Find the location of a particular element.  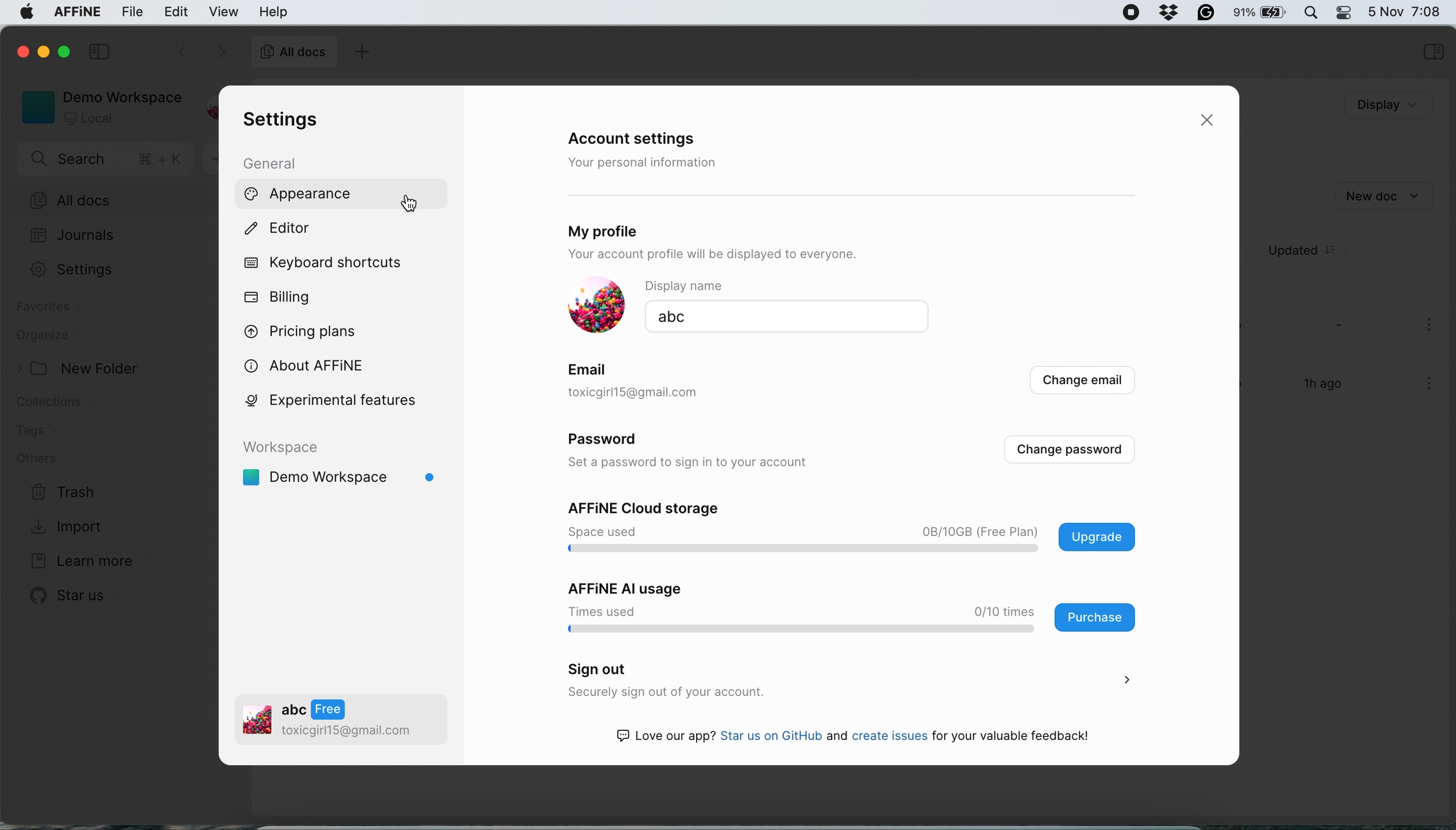

favorites is located at coordinates (48, 309).